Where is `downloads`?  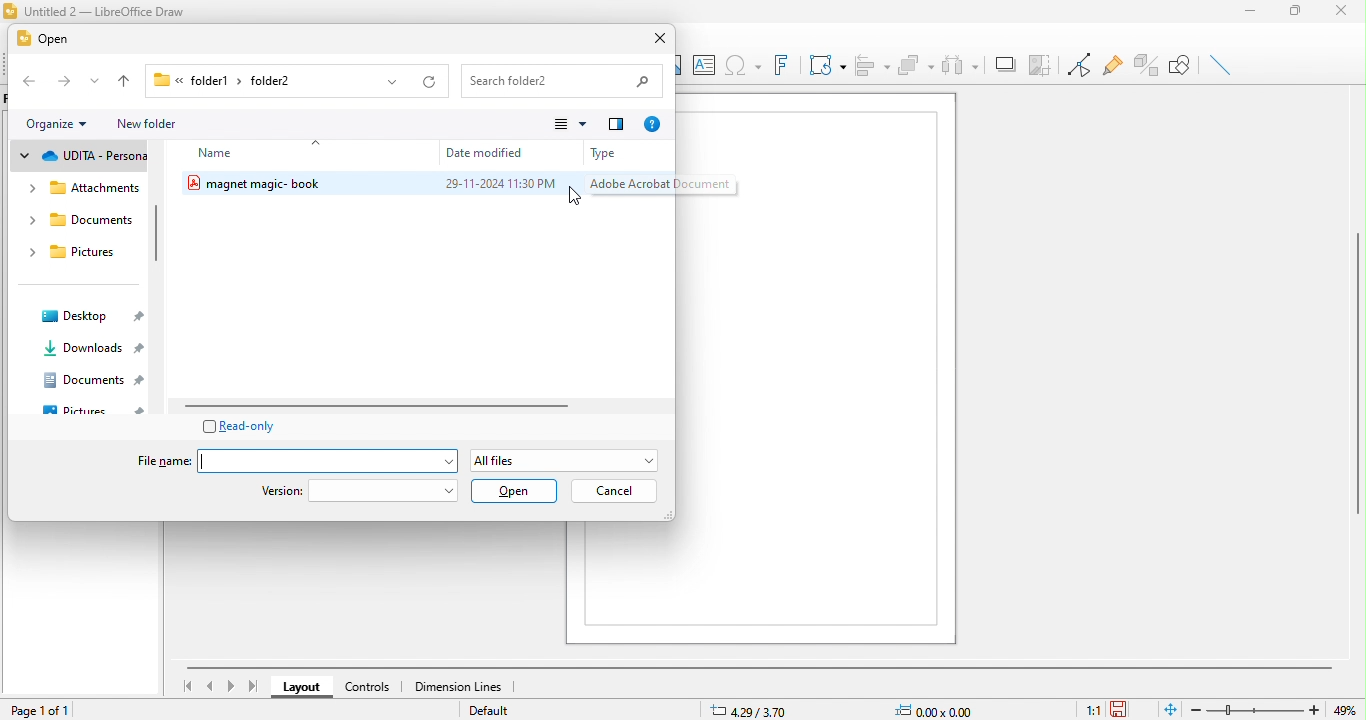 downloads is located at coordinates (90, 347).